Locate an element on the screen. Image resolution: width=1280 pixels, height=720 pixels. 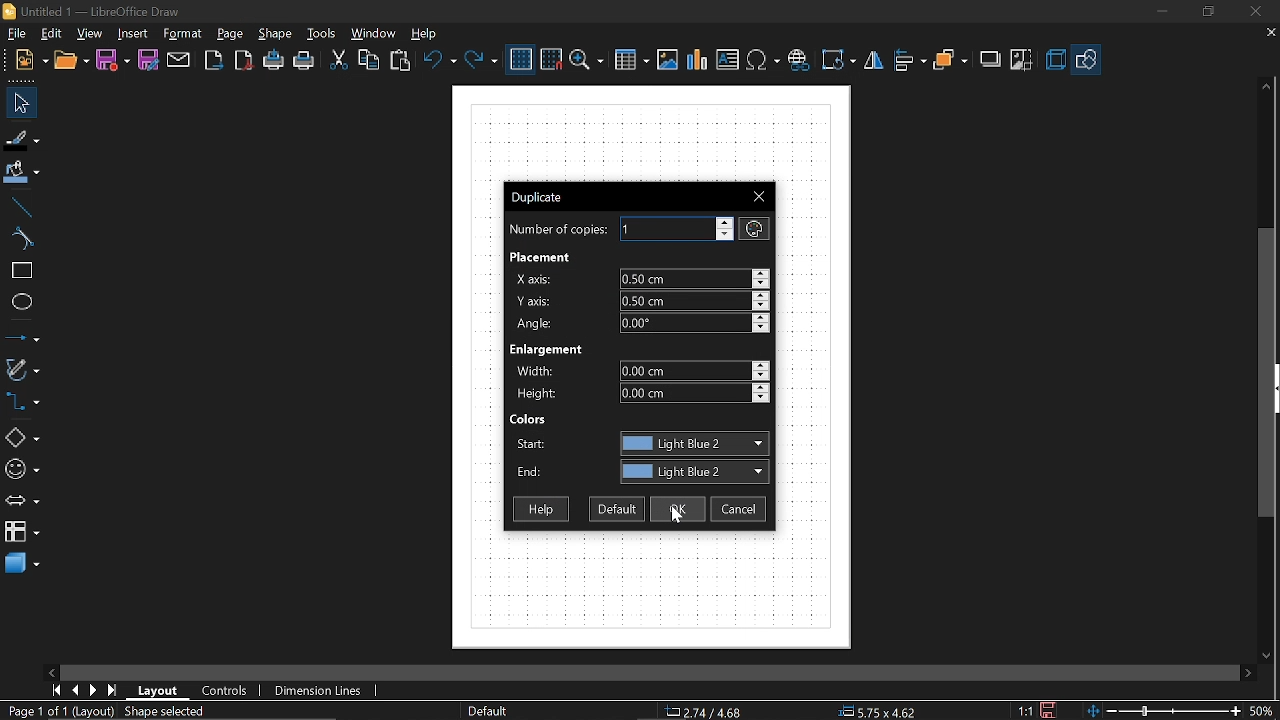
Shape is located at coordinates (274, 34).